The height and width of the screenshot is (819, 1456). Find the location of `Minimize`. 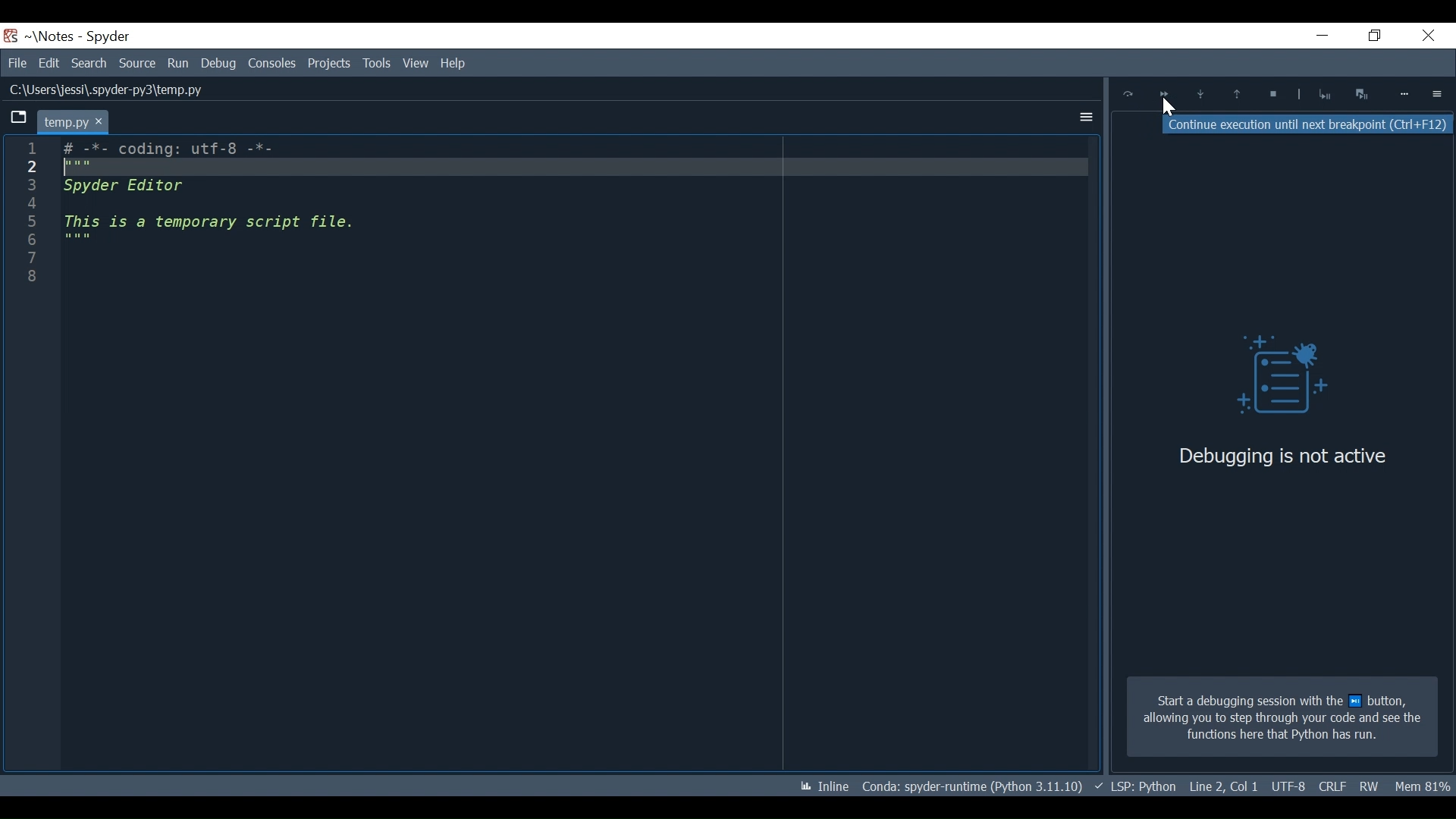

Minimize is located at coordinates (1313, 37).